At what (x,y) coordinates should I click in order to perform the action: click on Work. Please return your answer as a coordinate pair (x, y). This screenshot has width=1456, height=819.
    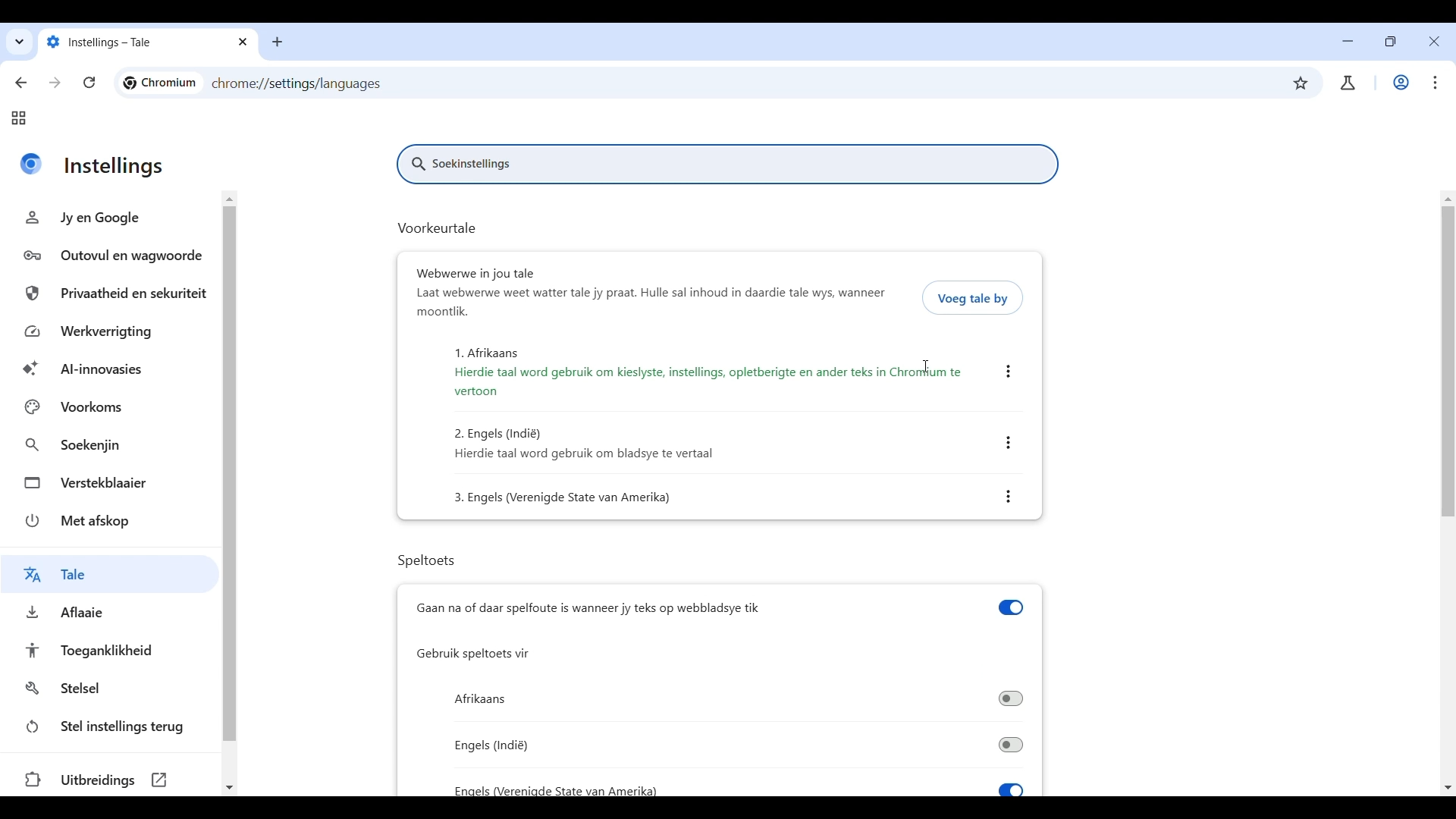
    Looking at the image, I should click on (1401, 82).